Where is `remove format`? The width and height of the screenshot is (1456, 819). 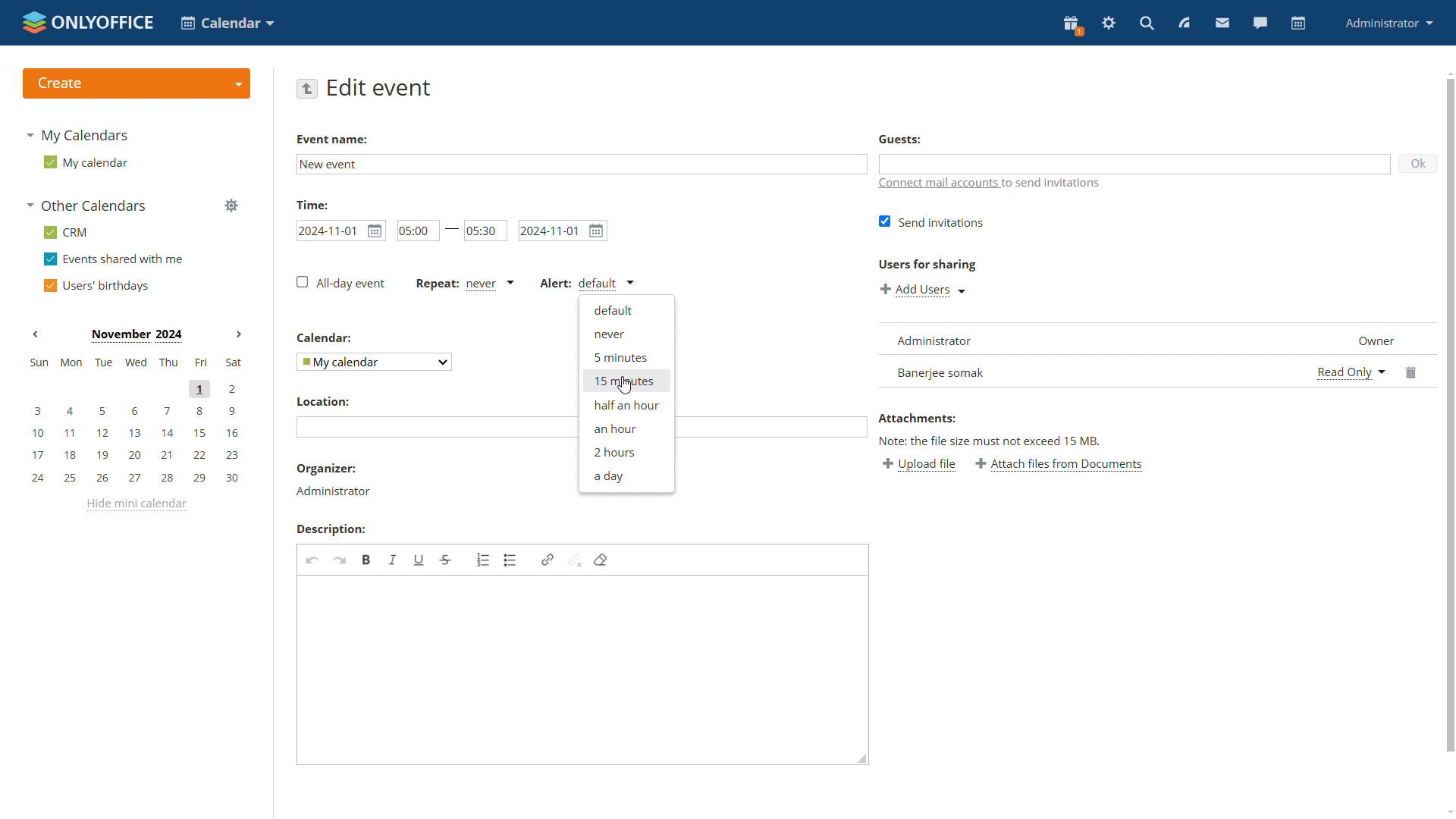 remove format is located at coordinates (601, 560).